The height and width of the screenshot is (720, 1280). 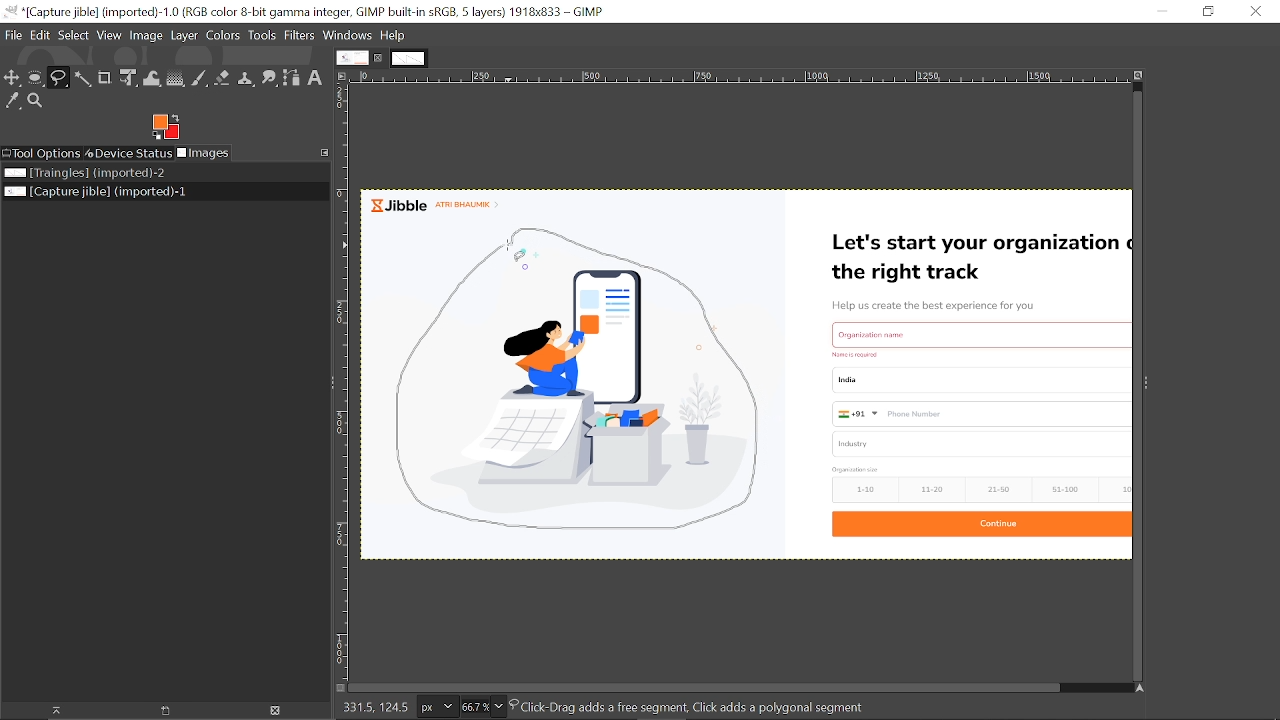 What do you see at coordinates (316, 78) in the screenshot?
I see `text tool` at bounding box center [316, 78].